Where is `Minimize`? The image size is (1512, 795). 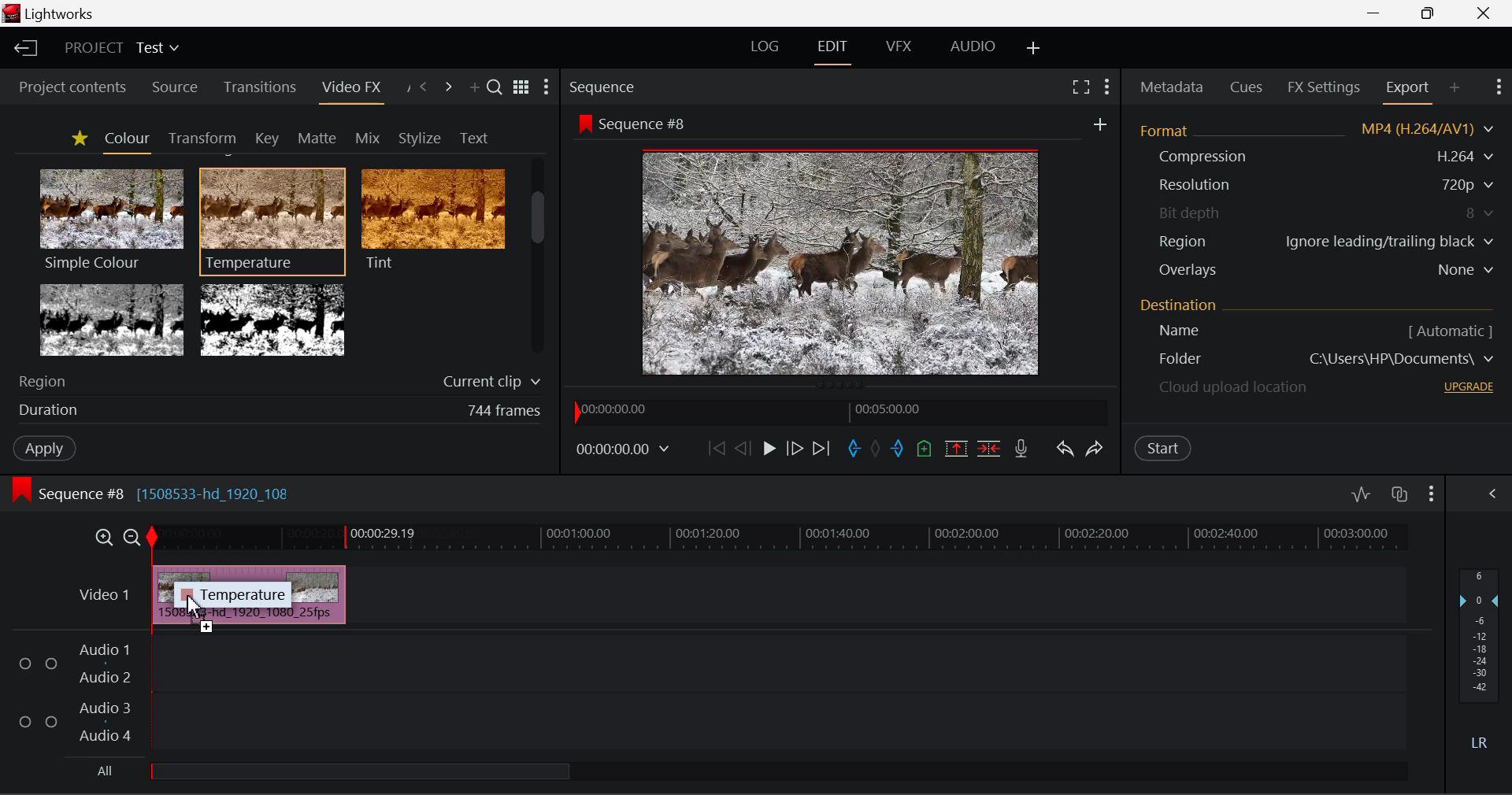 Minimize is located at coordinates (1428, 12).